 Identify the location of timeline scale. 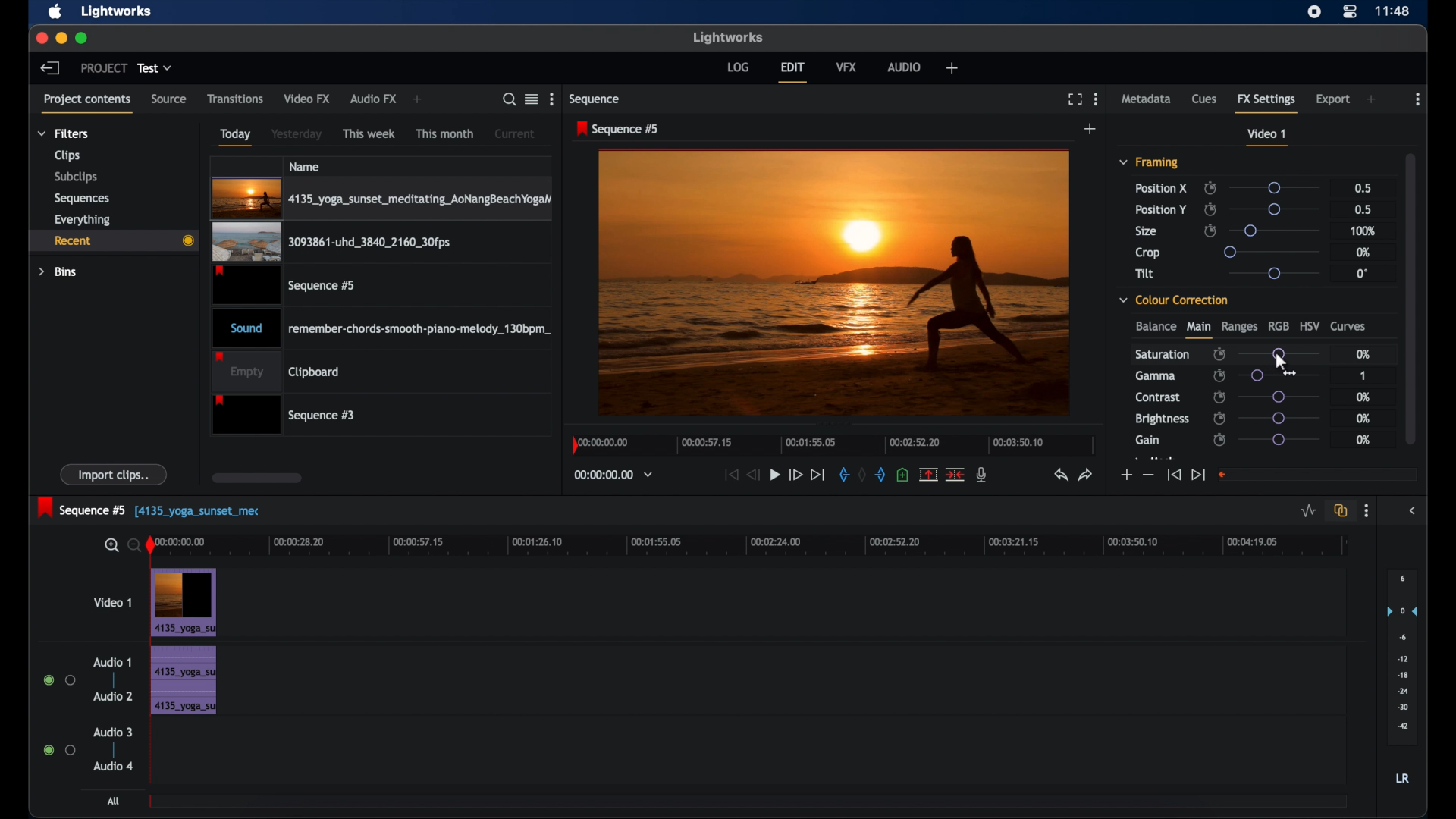
(759, 547).